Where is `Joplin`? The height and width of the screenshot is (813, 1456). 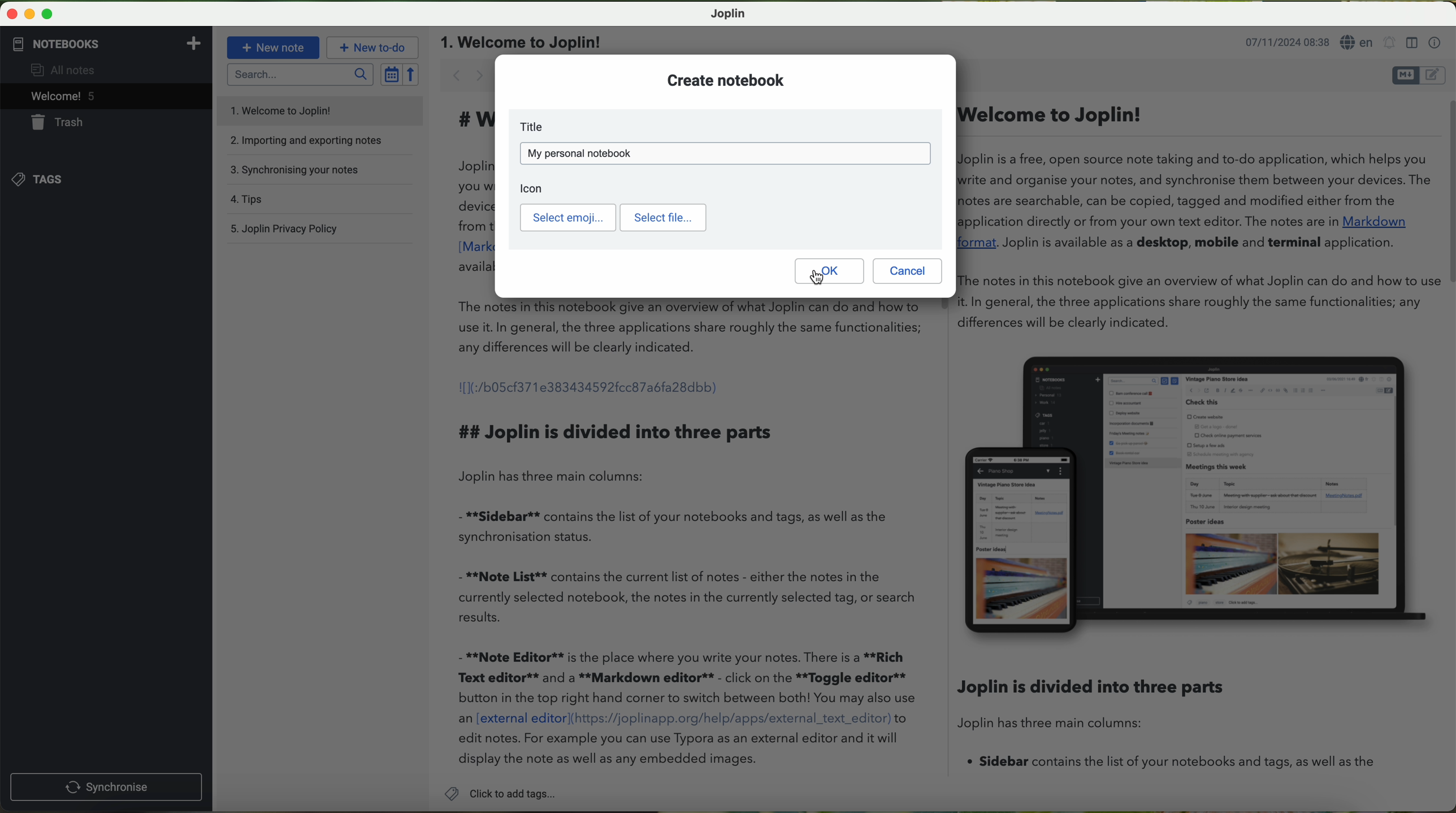 Joplin is located at coordinates (729, 13).